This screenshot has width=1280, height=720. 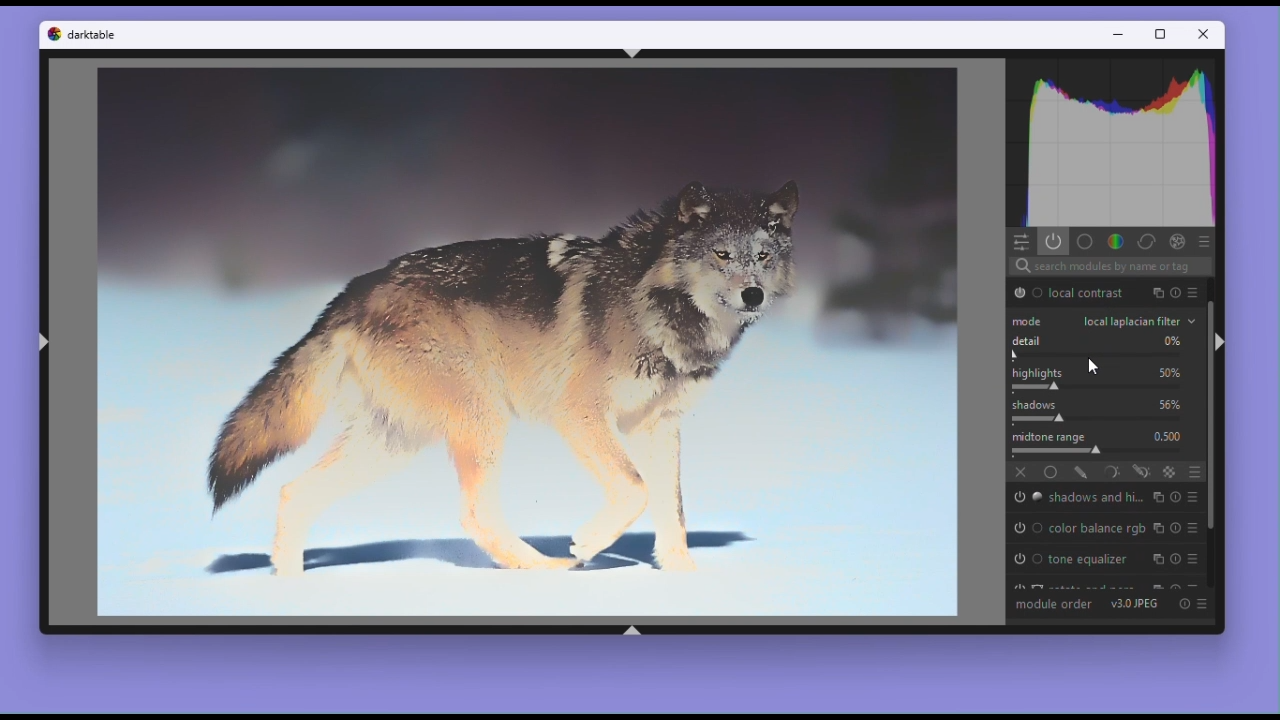 I want to click on 'color balance rgb' is switched off, so click(x=1026, y=528).